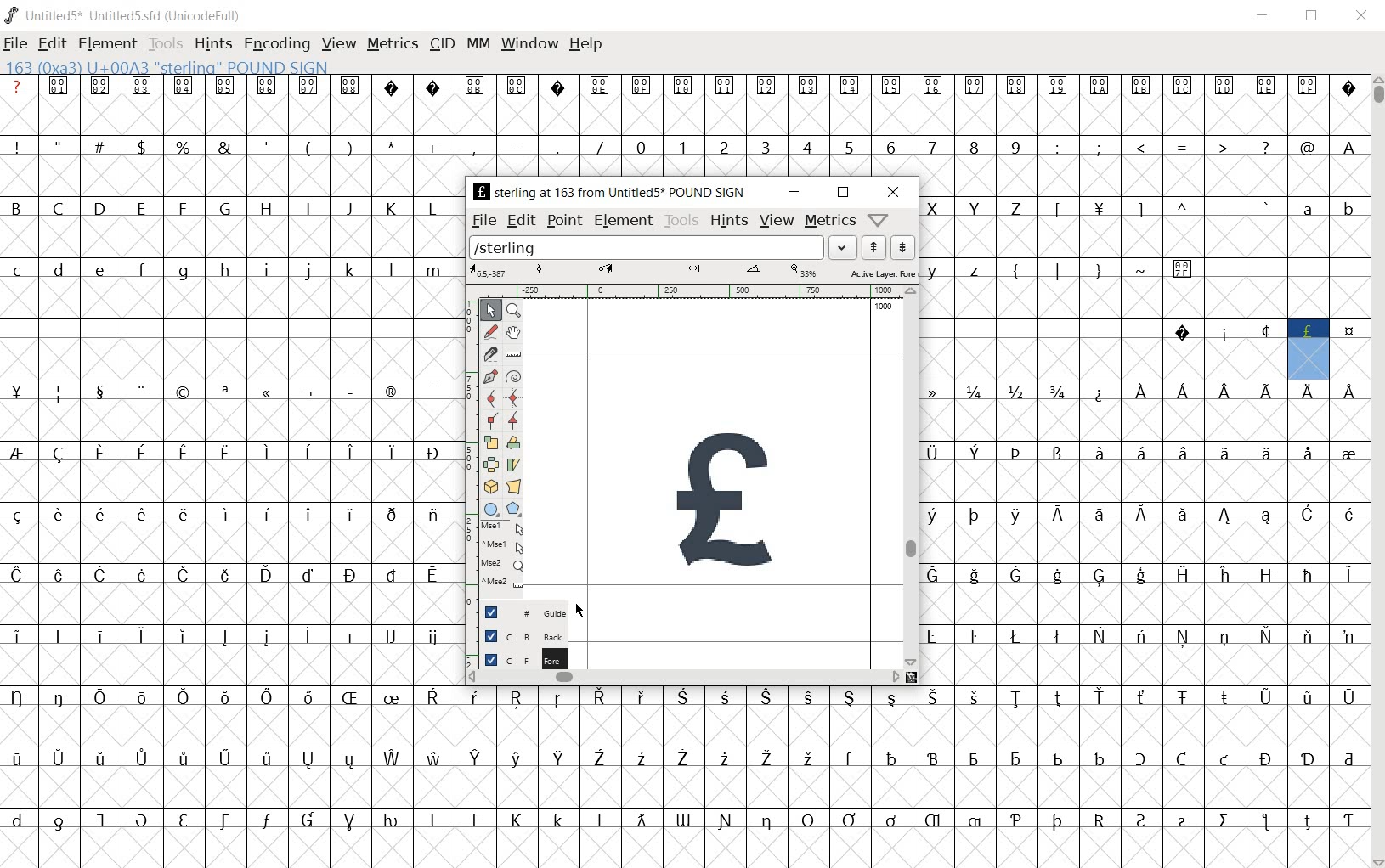 The height and width of the screenshot is (868, 1385). Describe the element at coordinates (725, 820) in the screenshot. I see `Symbol` at that location.